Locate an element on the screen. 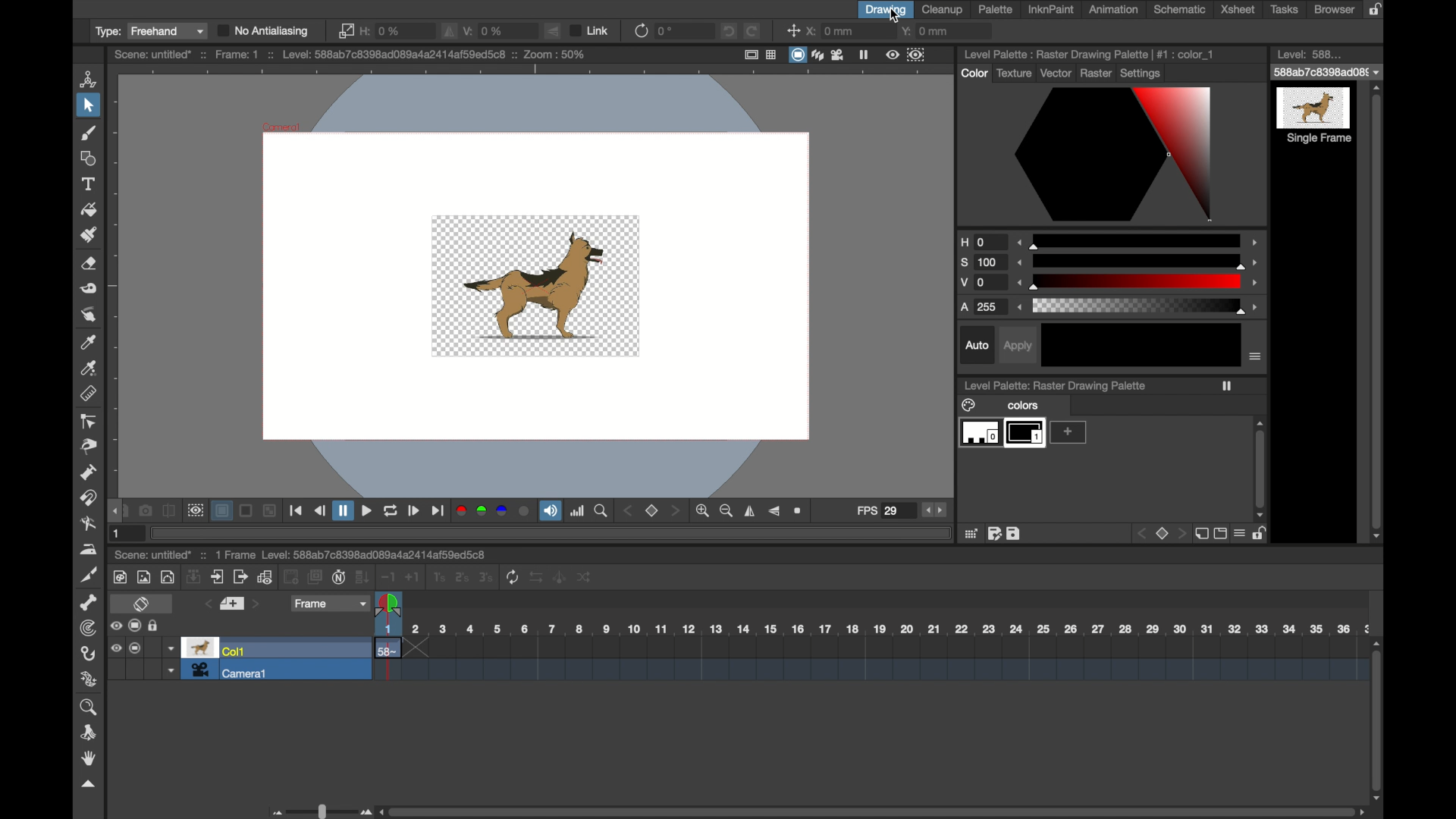 The height and width of the screenshot is (819, 1456). color picker tool is located at coordinates (88, 344).